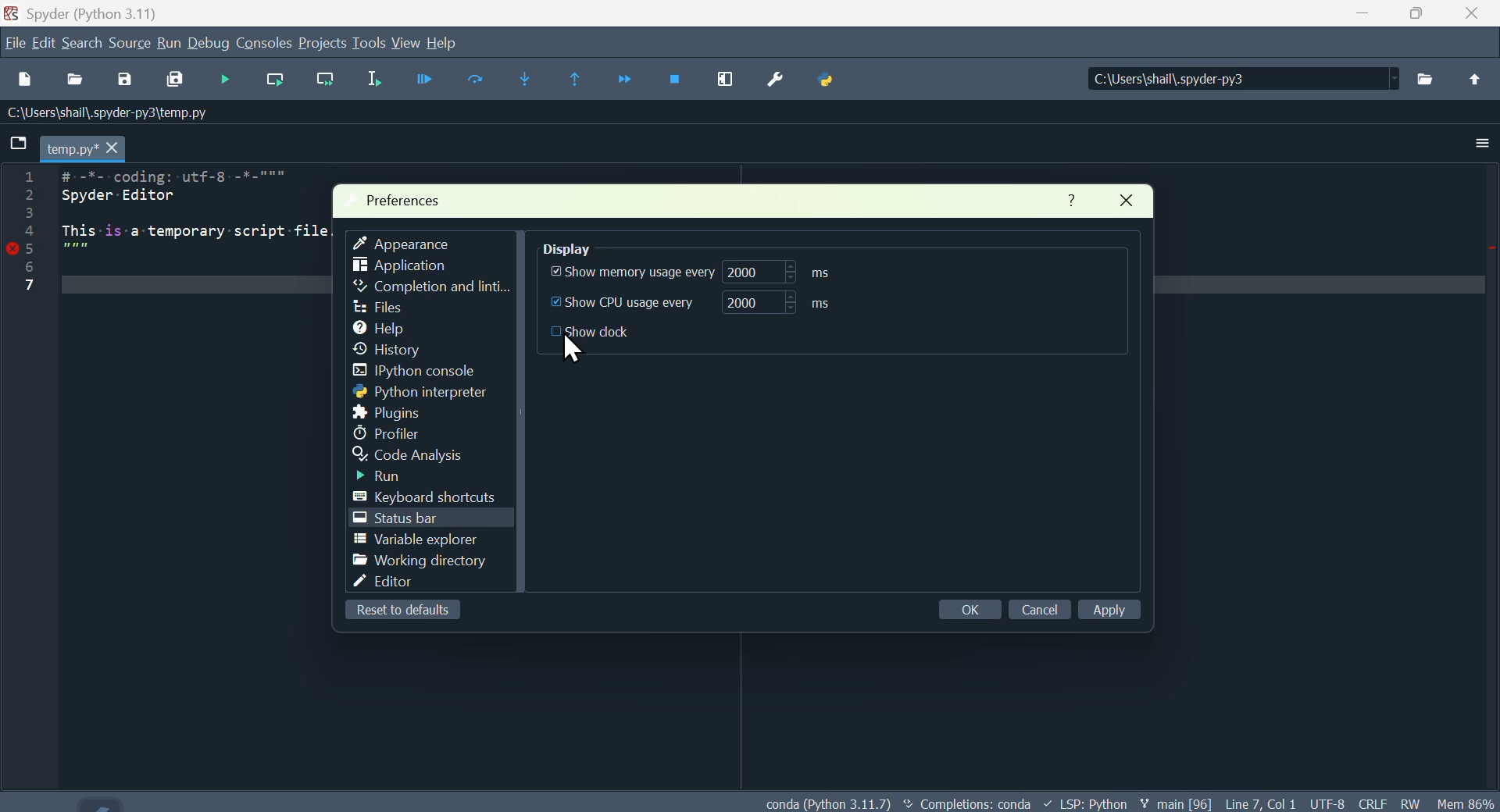 The width and height of the screenshot is (1500, 812). I want to click on Line Number, so click(34, 238).